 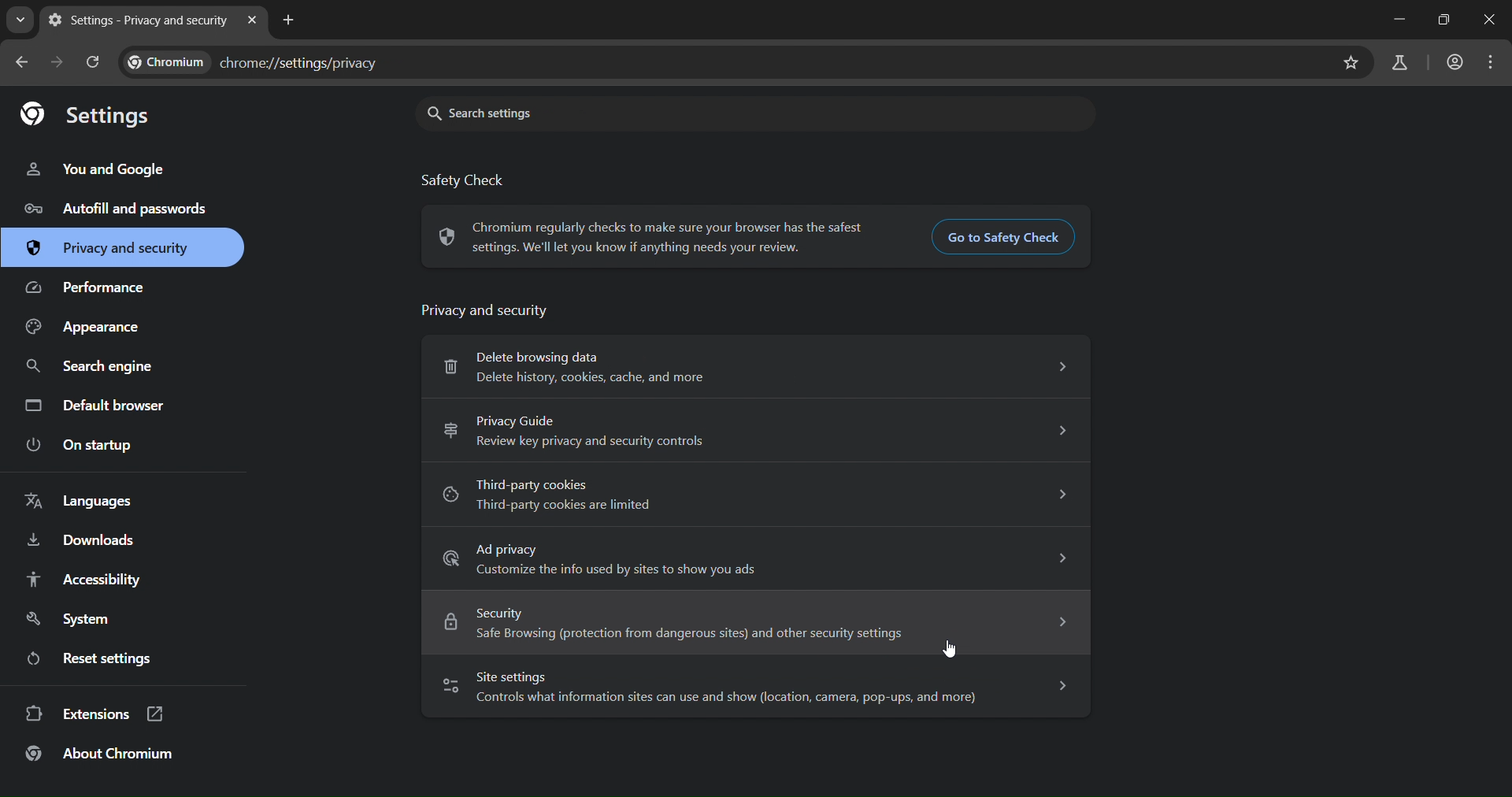 What do you see at coordinates (120, 209) in the screenshot?
I see `autofill and passwords` at bounding box center [120, 209].